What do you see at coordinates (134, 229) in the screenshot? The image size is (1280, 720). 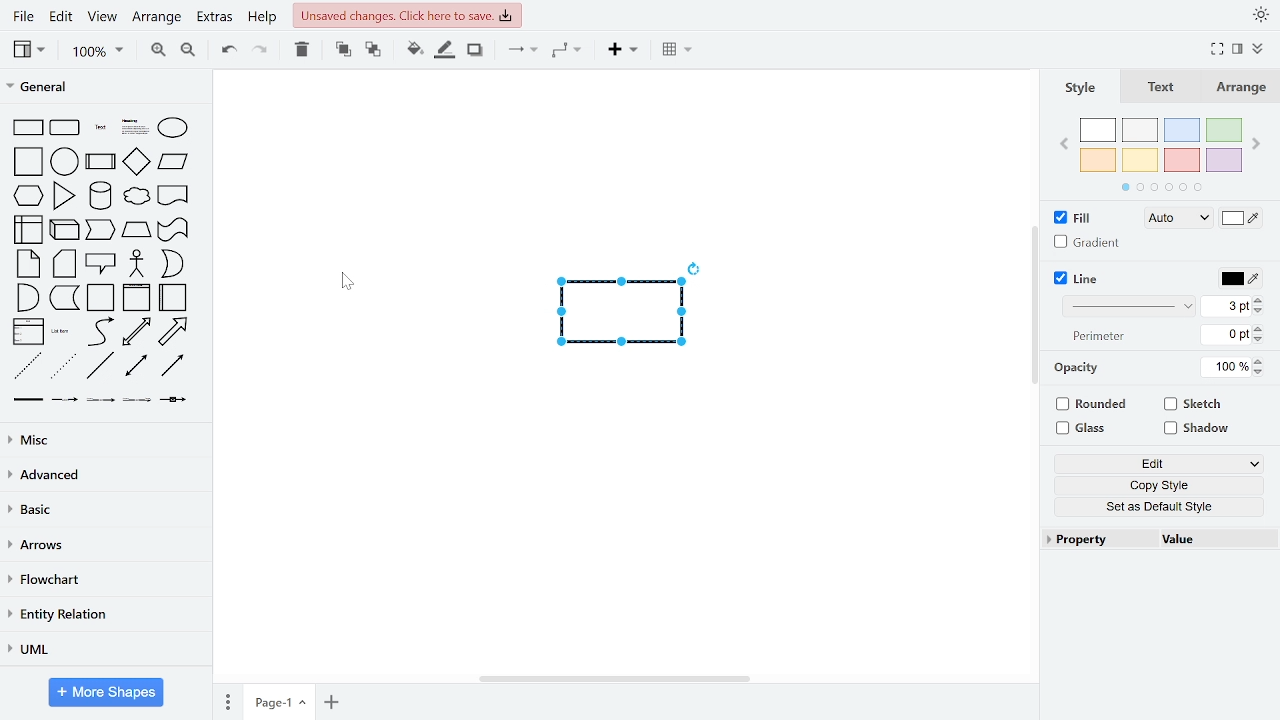 I see `general shapes` at bounding box center [134, 229].